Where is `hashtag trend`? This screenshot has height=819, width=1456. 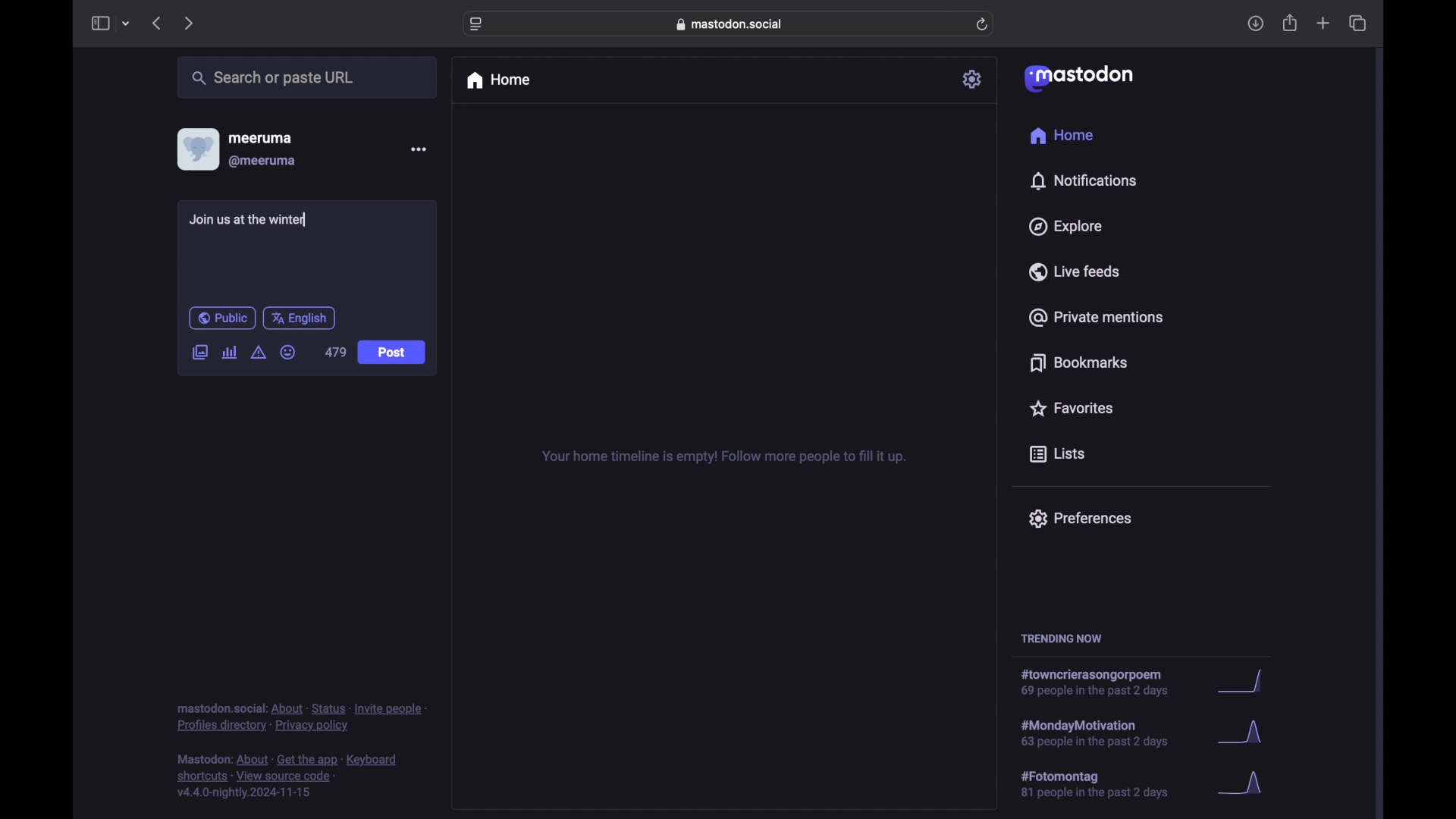 hashtag trend is located at coordinates (1103, 683).